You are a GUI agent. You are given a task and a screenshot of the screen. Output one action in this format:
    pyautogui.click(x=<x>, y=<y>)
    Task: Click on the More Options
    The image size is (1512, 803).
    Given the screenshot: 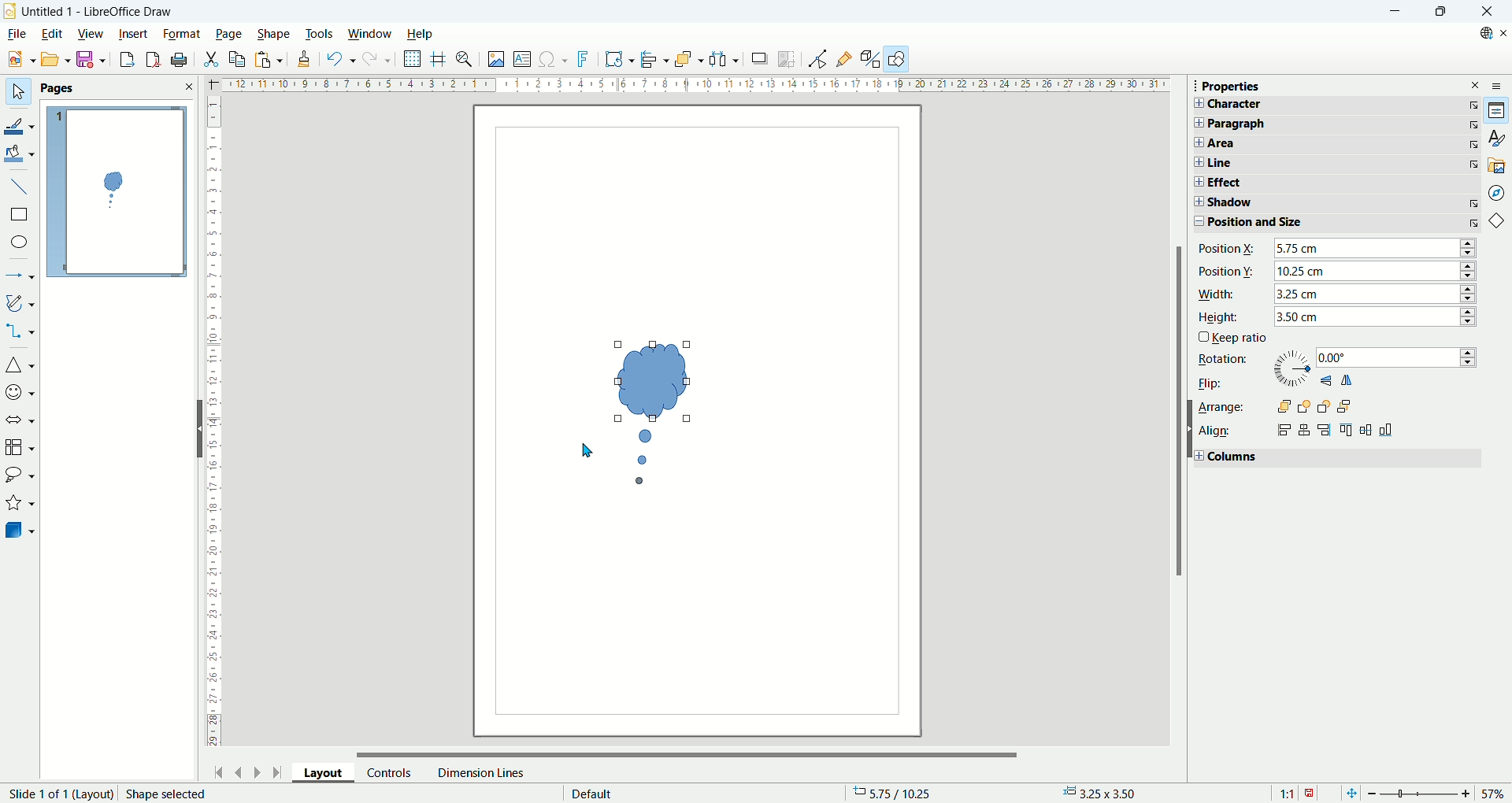 What is the action you would take?
    pyautogui.click(x=1473, y=222)
    